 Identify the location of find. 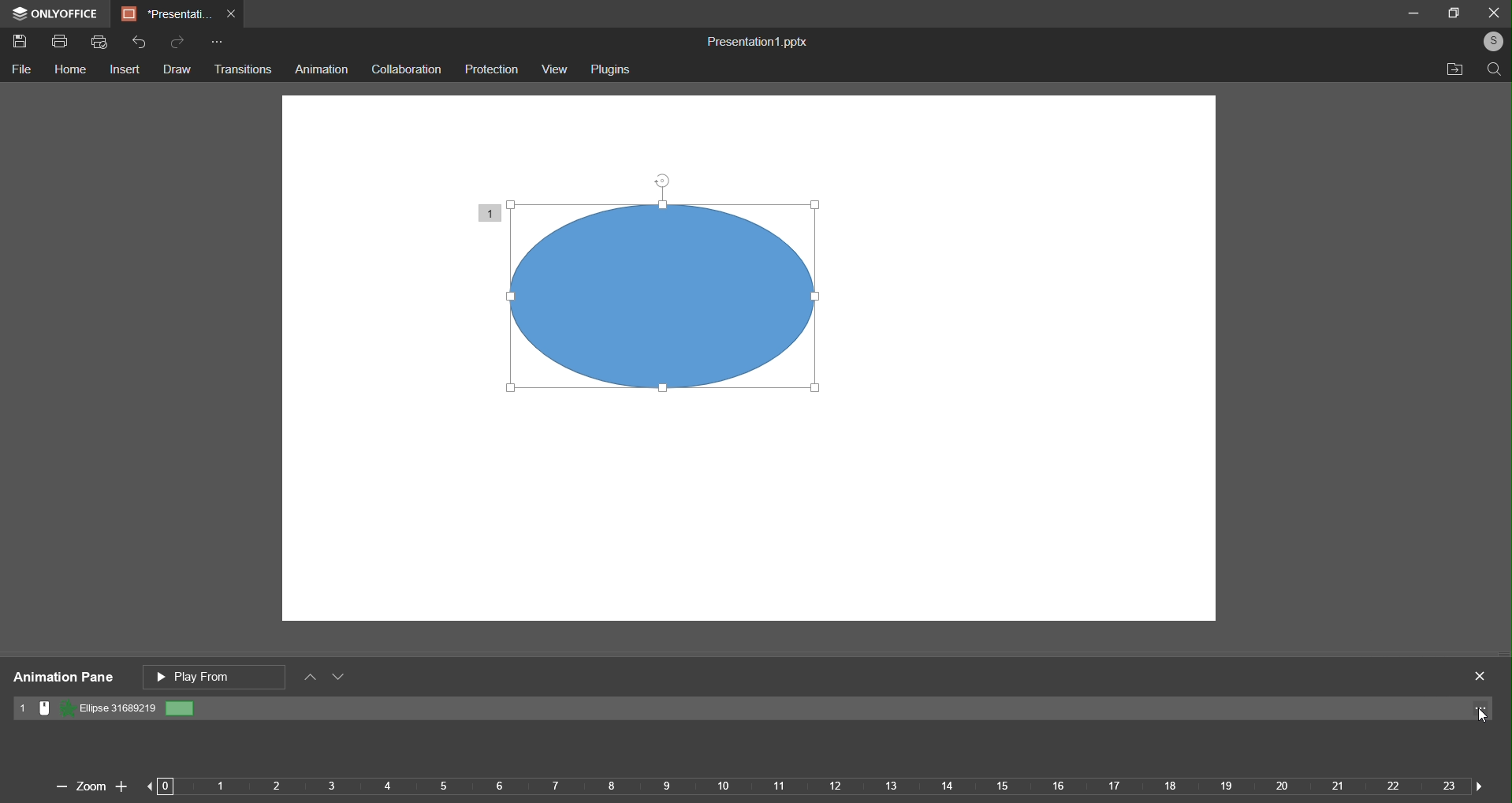
(1492, 69).